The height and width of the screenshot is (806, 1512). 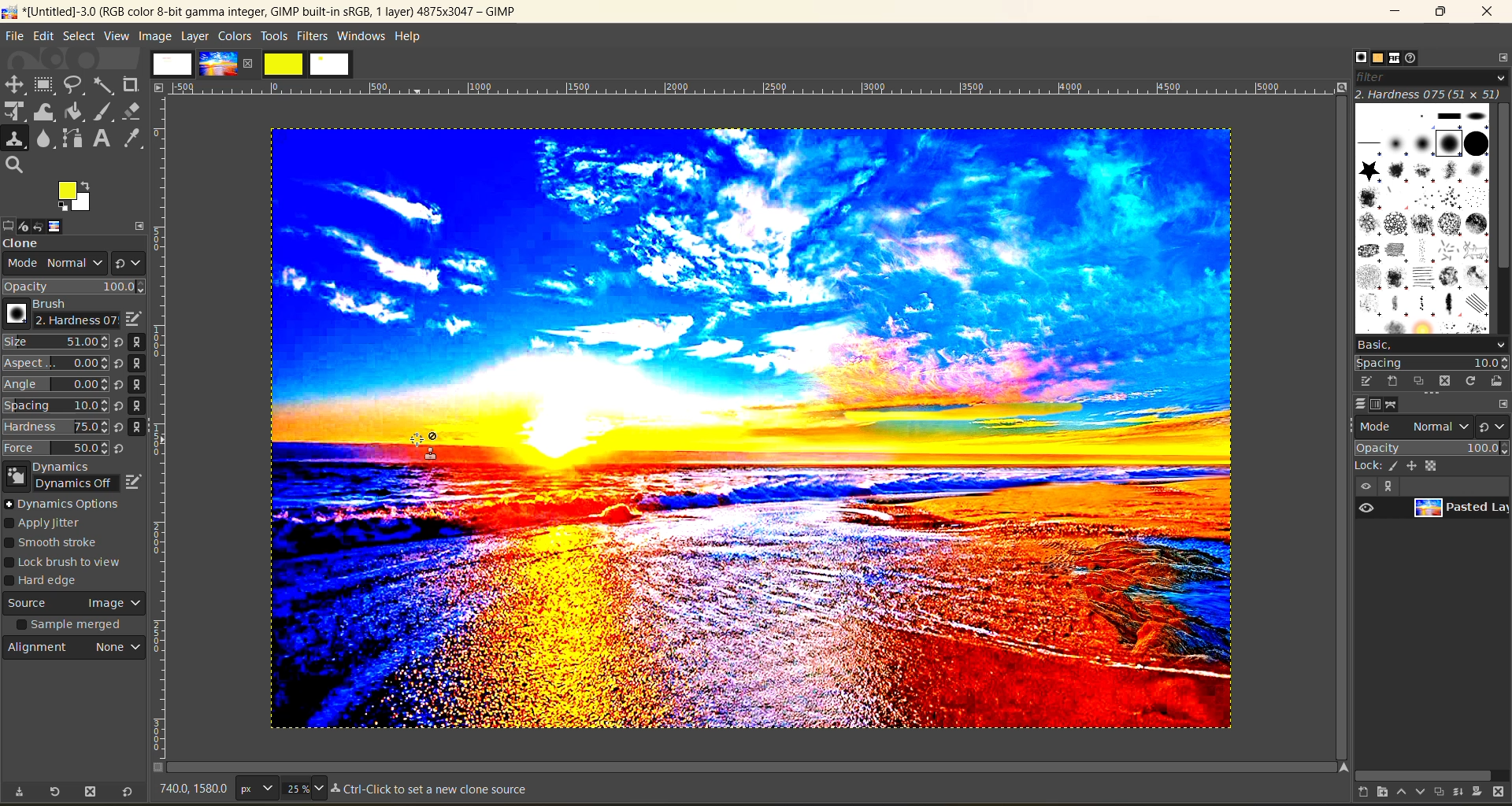 What do you see at coordinates (1458, 511) in the screenshot?
I see `layer` at bounding box center [1458, 511].